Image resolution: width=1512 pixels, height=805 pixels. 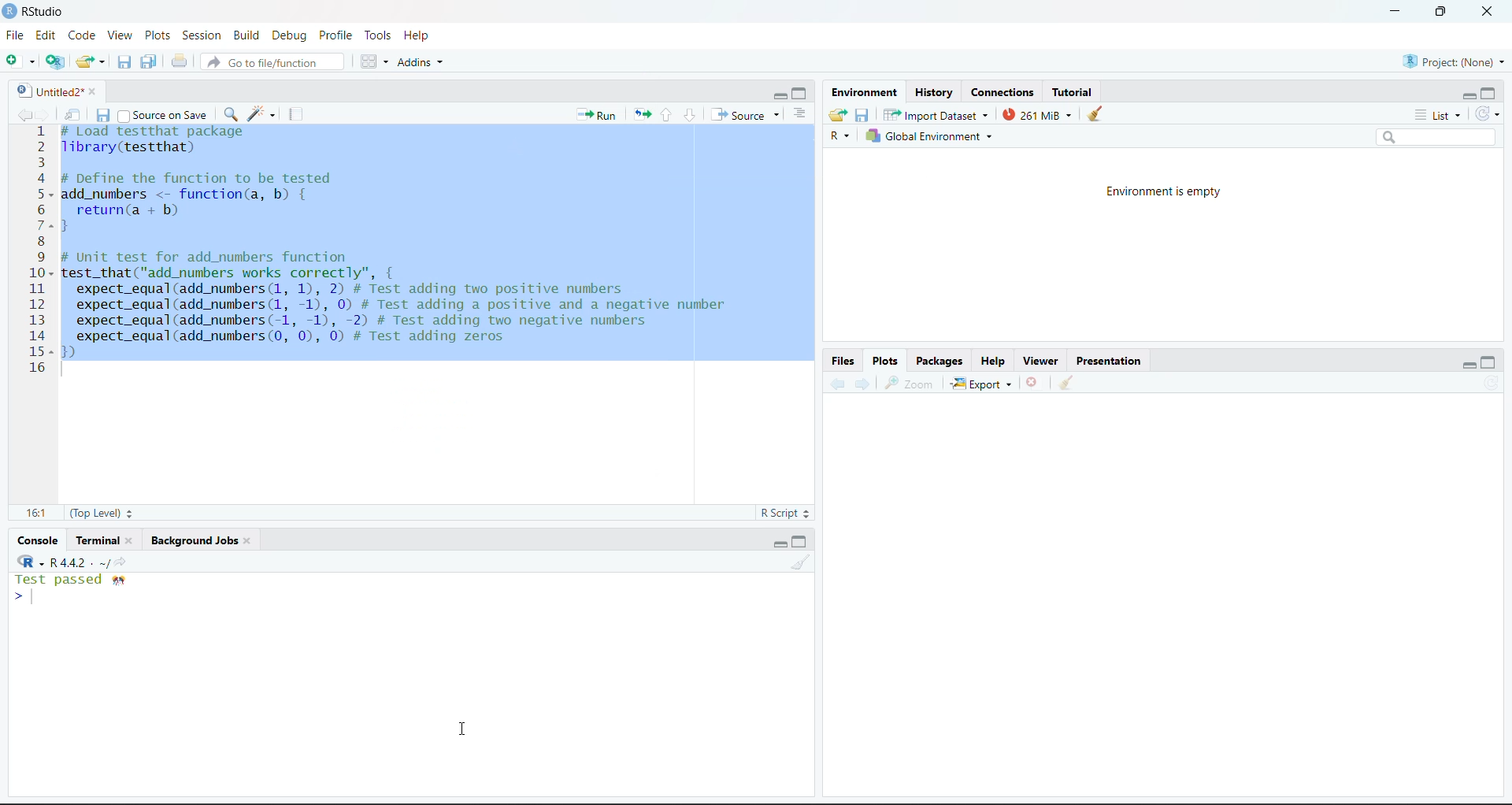 What do you see at coordinates (45, 35) in the screenshot?
I see `Edit` at bounding box center [45, 35].